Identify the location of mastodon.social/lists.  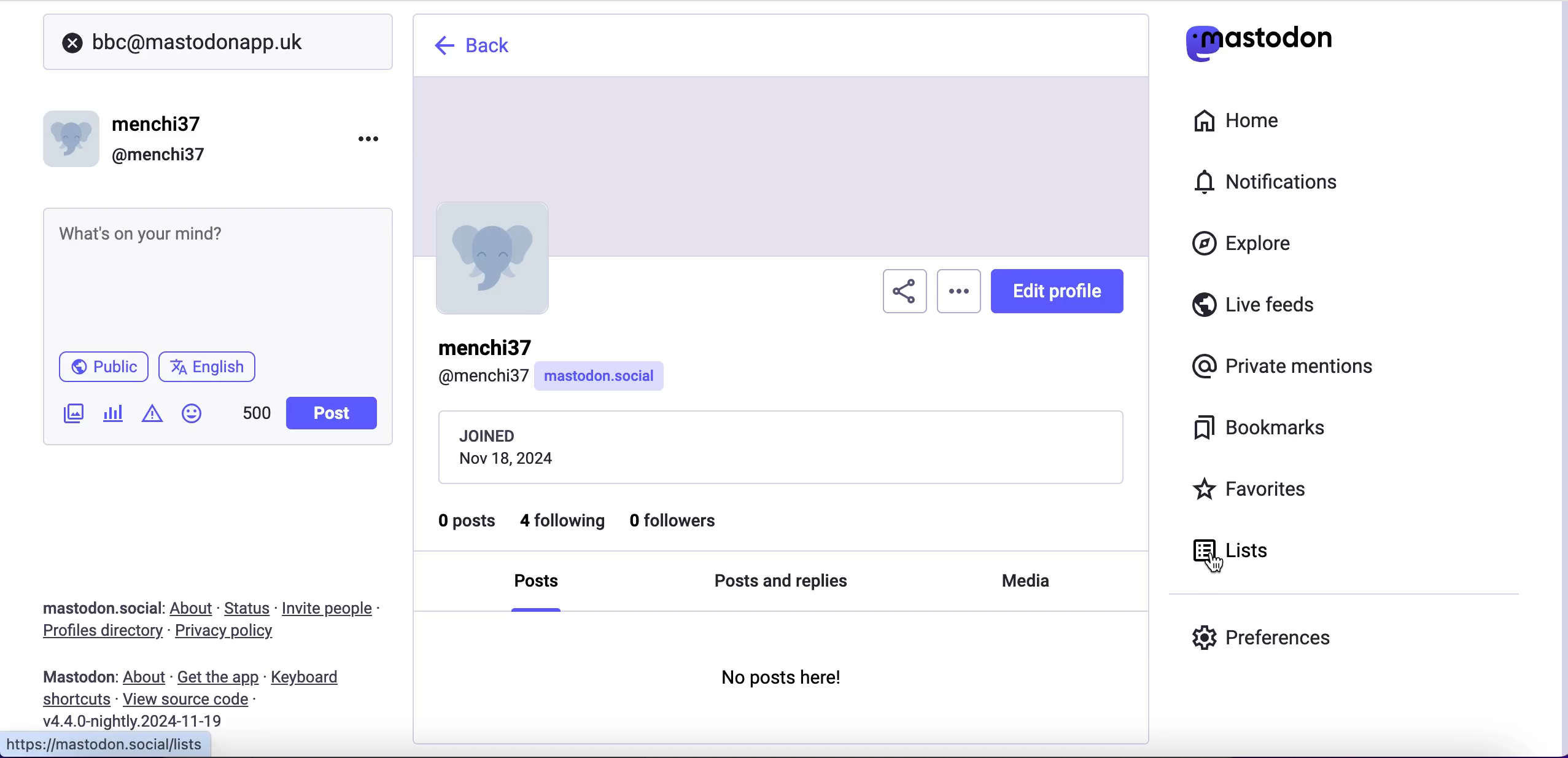
(125, 743).